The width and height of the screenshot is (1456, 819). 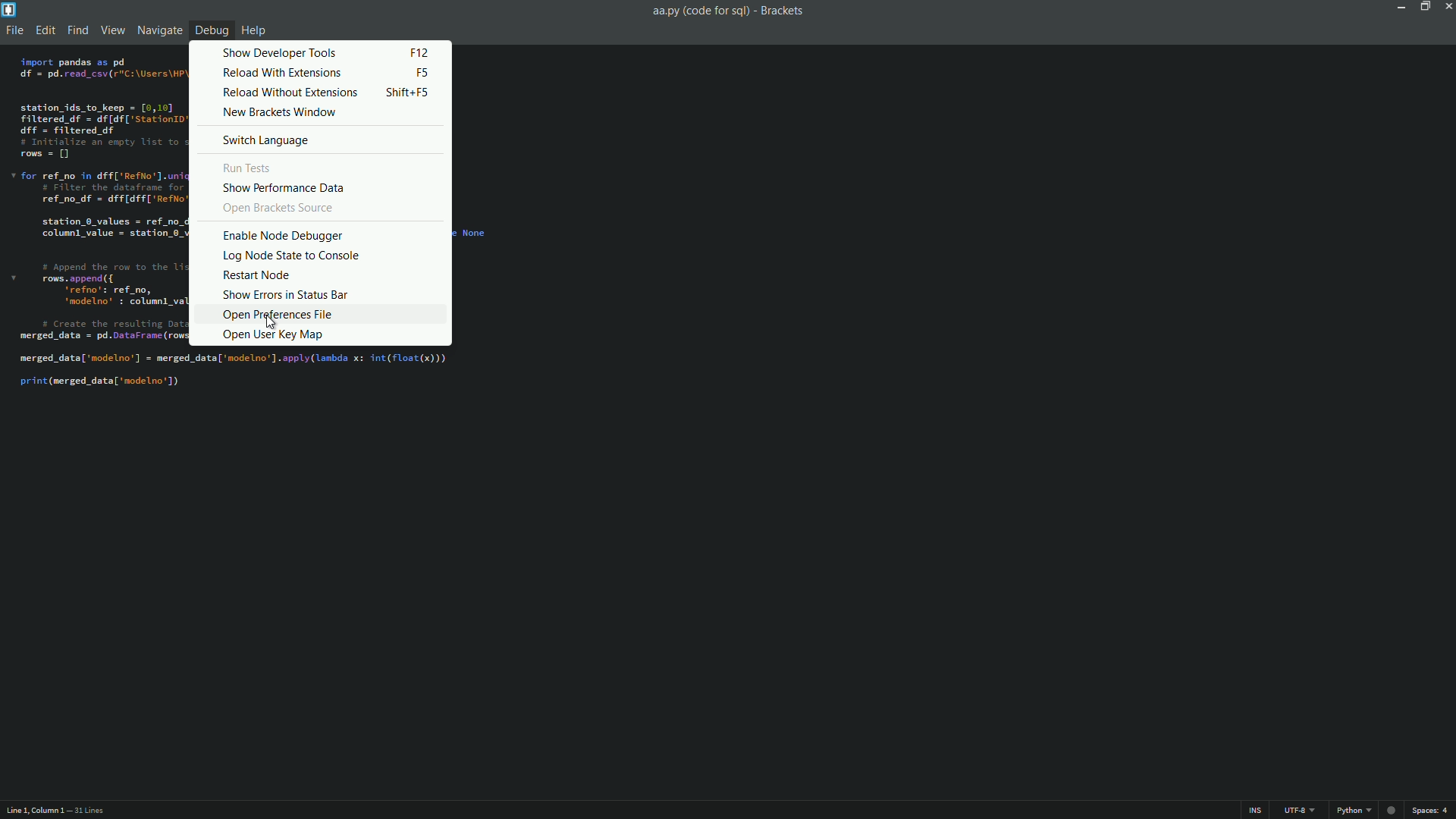 What do you see at coordinates (280, 111) in the screenshot?
I see `new brackets window` at bounding box center [280, 111].